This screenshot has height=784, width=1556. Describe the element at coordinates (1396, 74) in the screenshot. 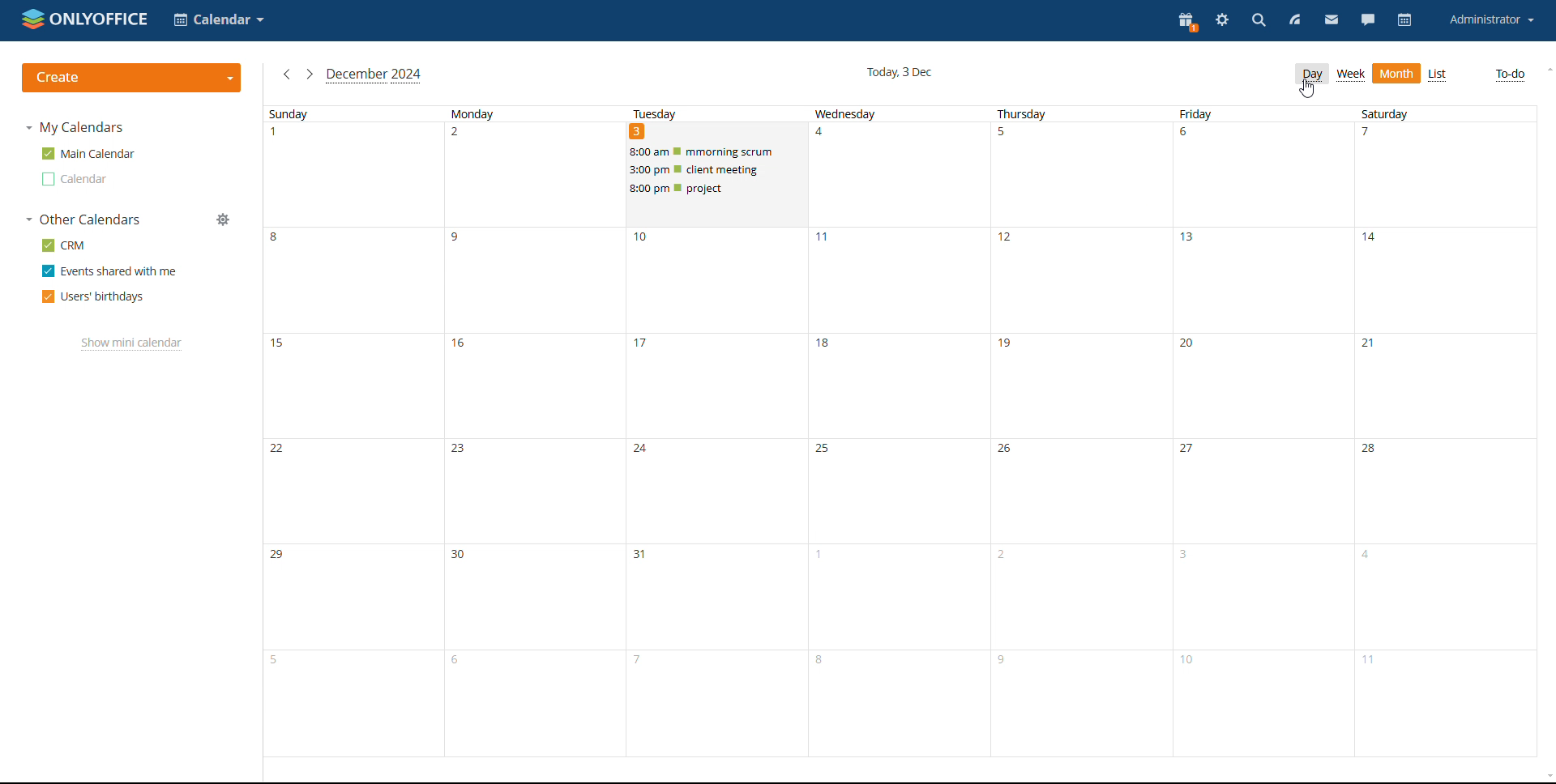

I see `month view` at that location.